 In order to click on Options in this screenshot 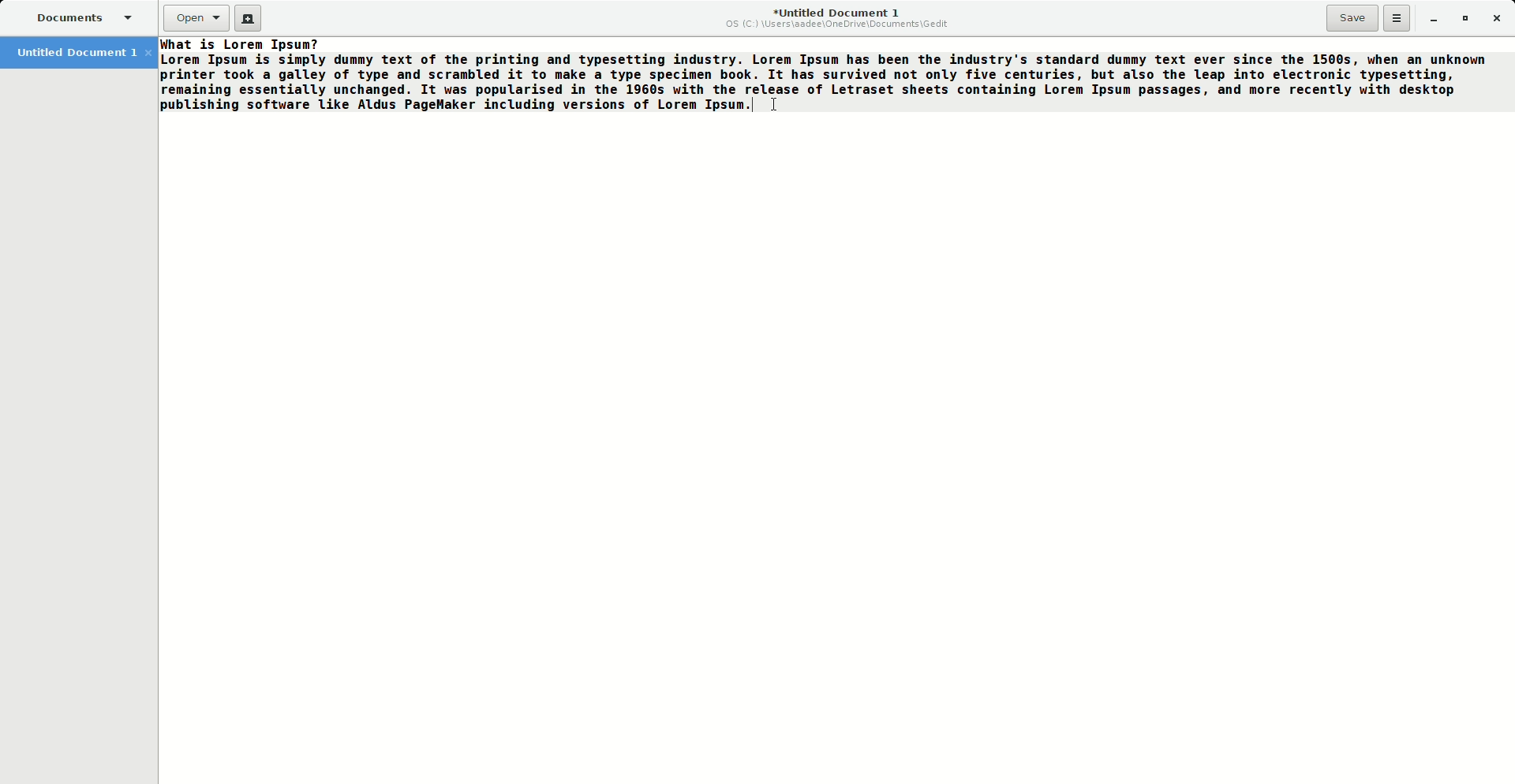, I will do `click(1397, 17)`.